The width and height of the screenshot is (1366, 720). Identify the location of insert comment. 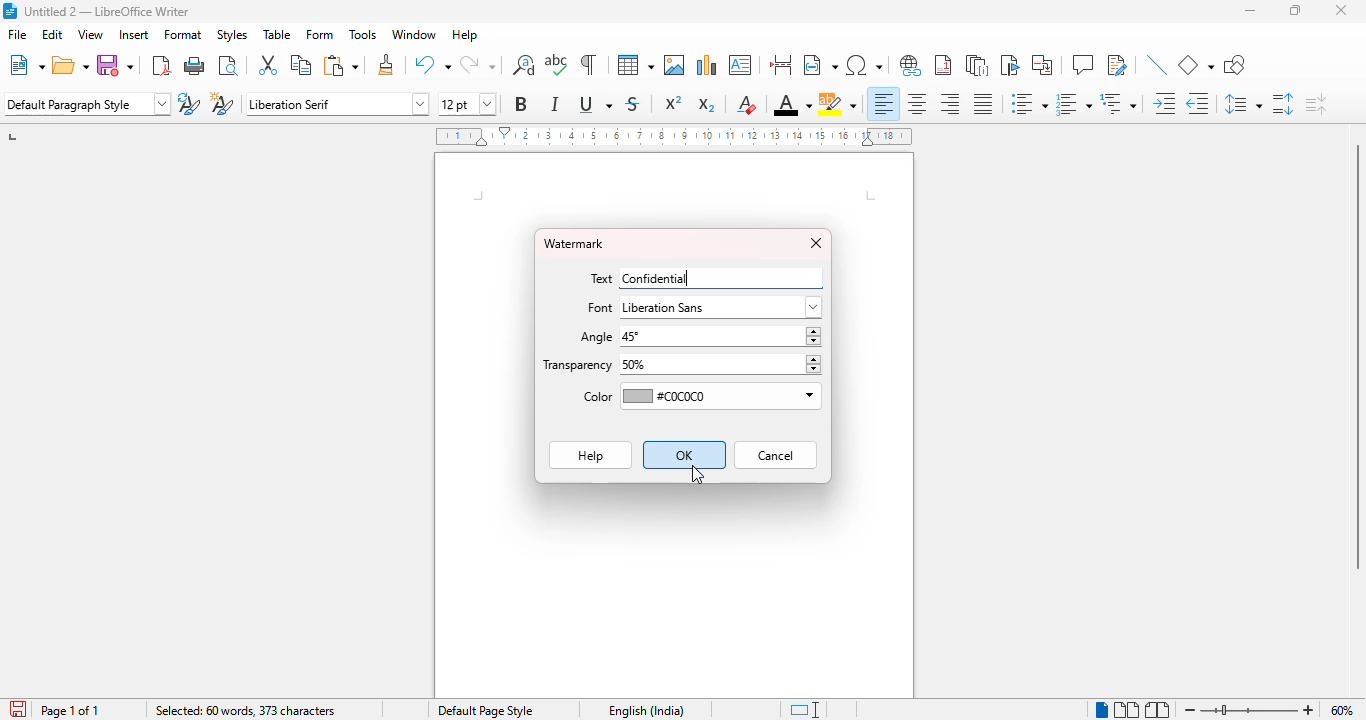
(1083, 64).